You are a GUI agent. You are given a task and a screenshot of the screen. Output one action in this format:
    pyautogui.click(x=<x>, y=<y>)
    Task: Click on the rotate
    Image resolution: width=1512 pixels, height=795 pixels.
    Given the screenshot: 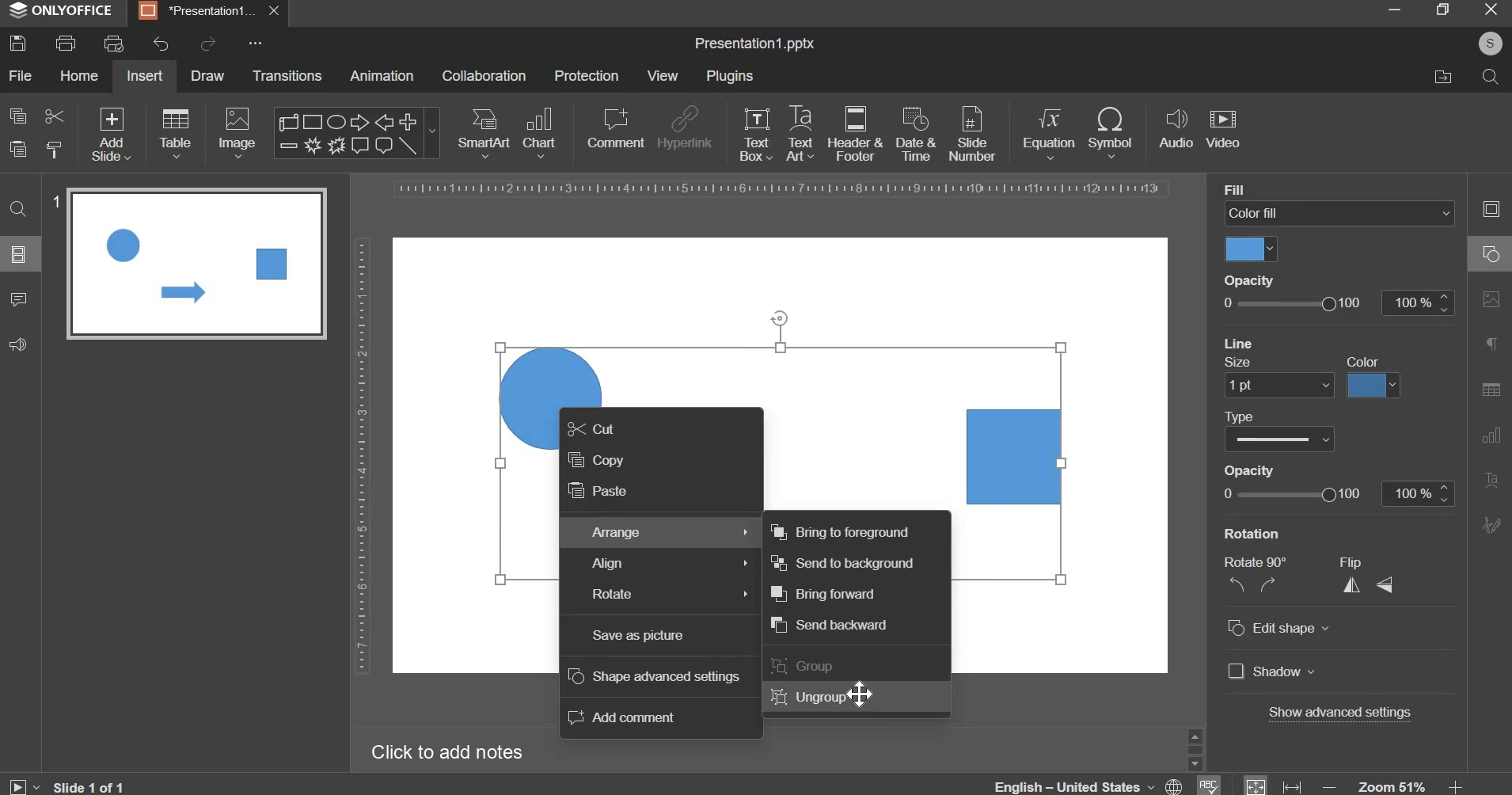 What is the action you would take?
    pyautogui.click(x=669, y=594)
    